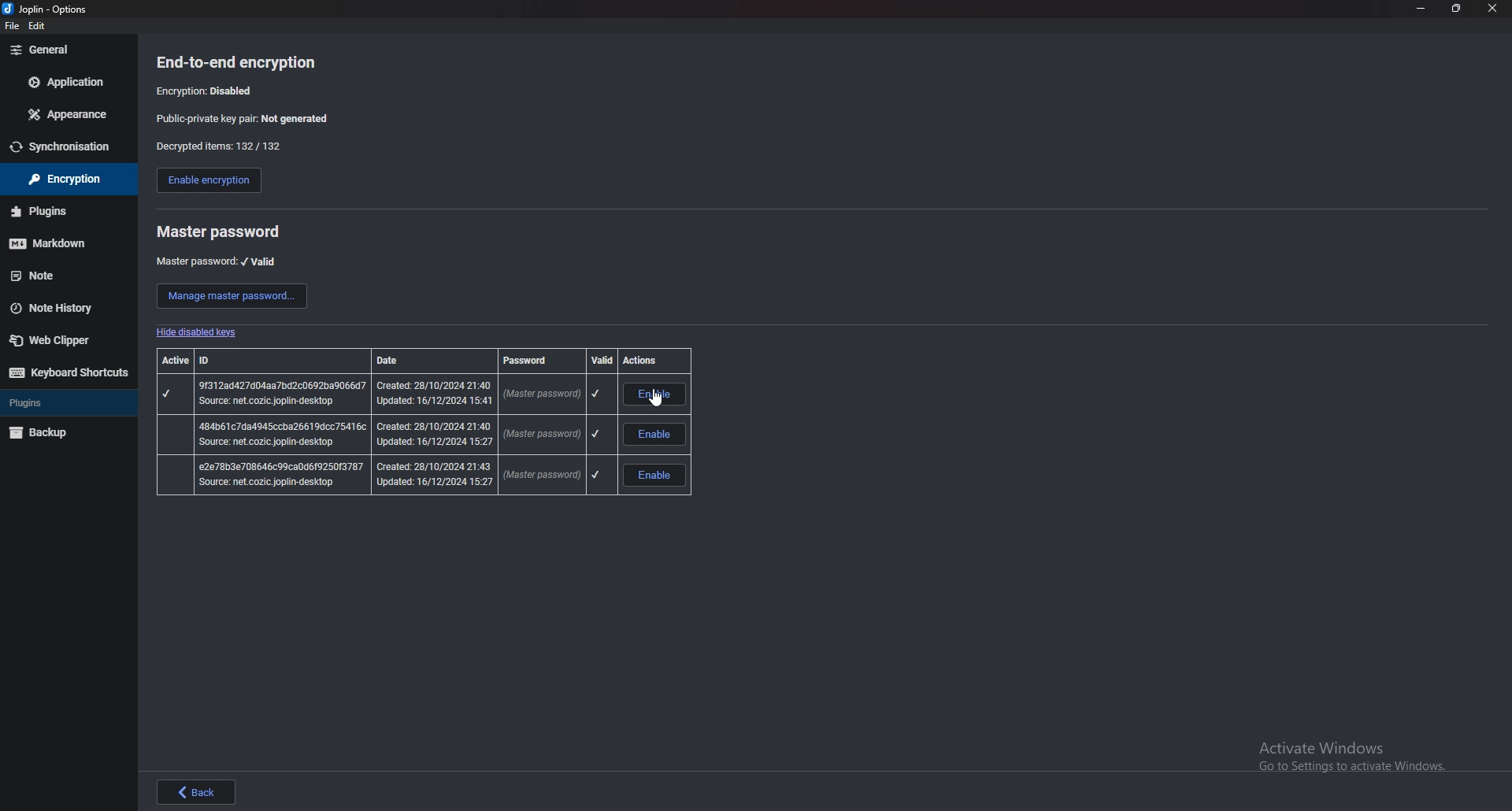  I want to click on enable, so click(655, 396).